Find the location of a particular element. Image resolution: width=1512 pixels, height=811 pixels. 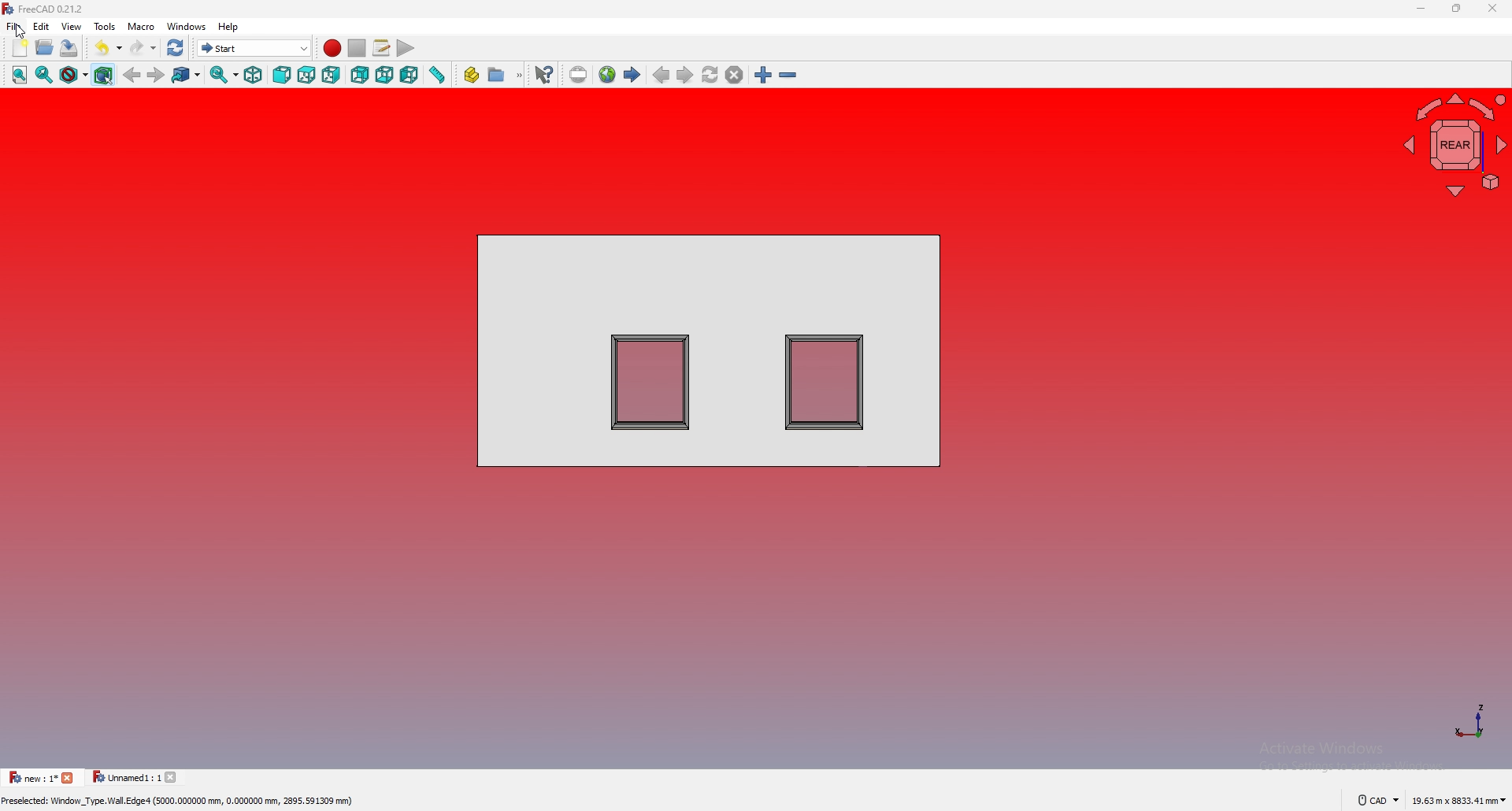

synced view is located at coordinates (224, 75).